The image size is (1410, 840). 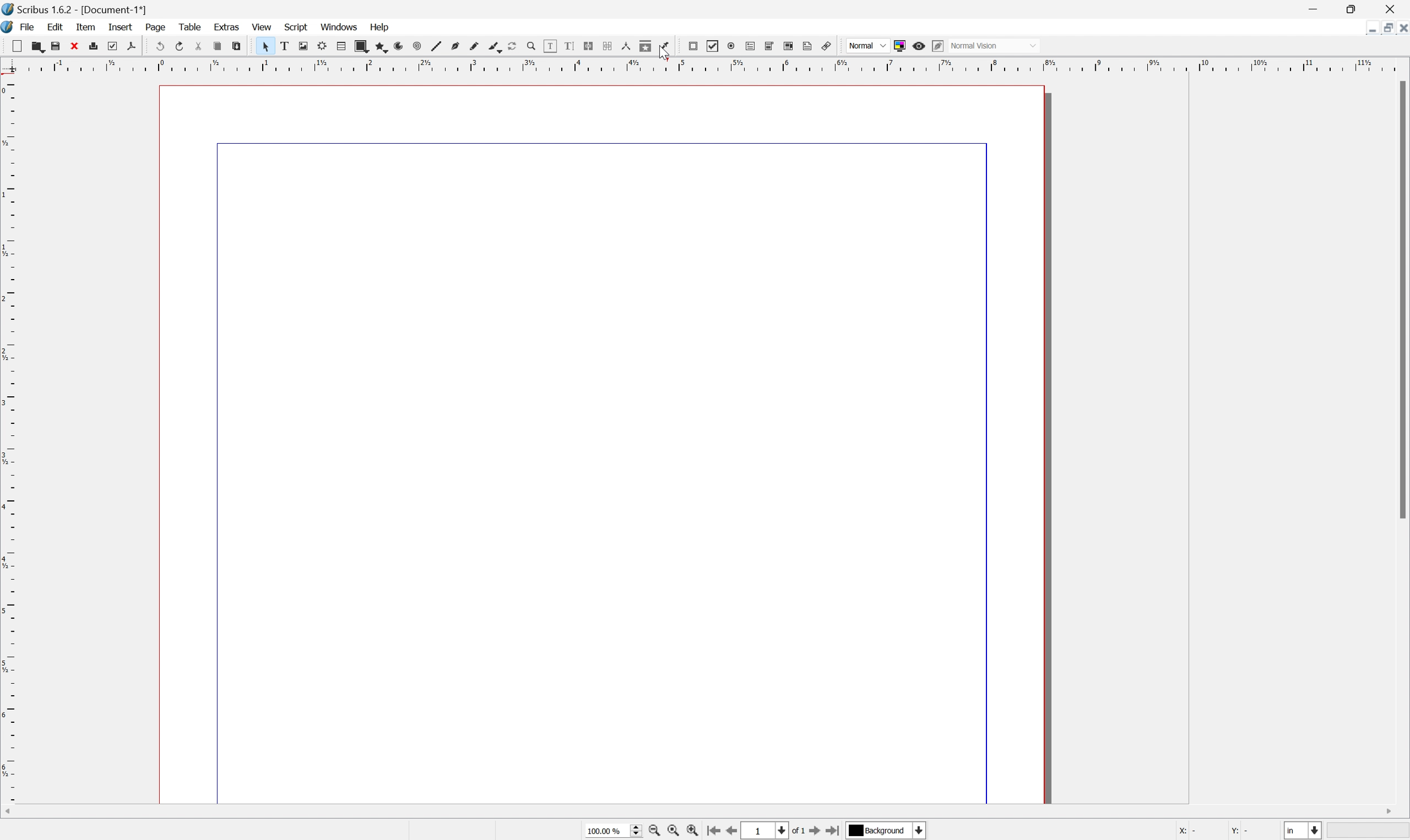 I want to click on help, so click(x=383, y=27).